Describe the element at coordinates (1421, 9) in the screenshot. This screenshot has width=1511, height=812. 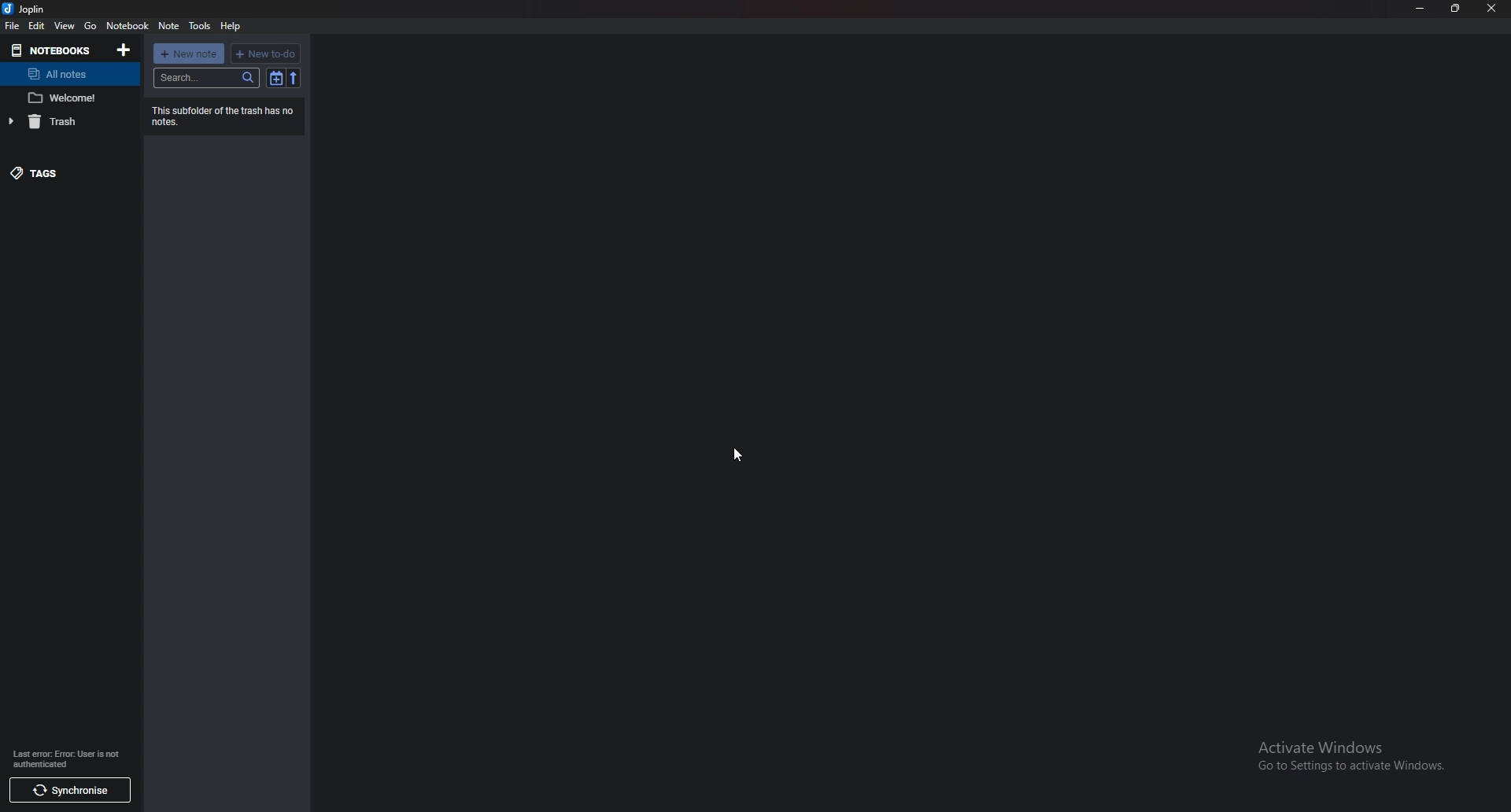
I see `minimize` at that location.